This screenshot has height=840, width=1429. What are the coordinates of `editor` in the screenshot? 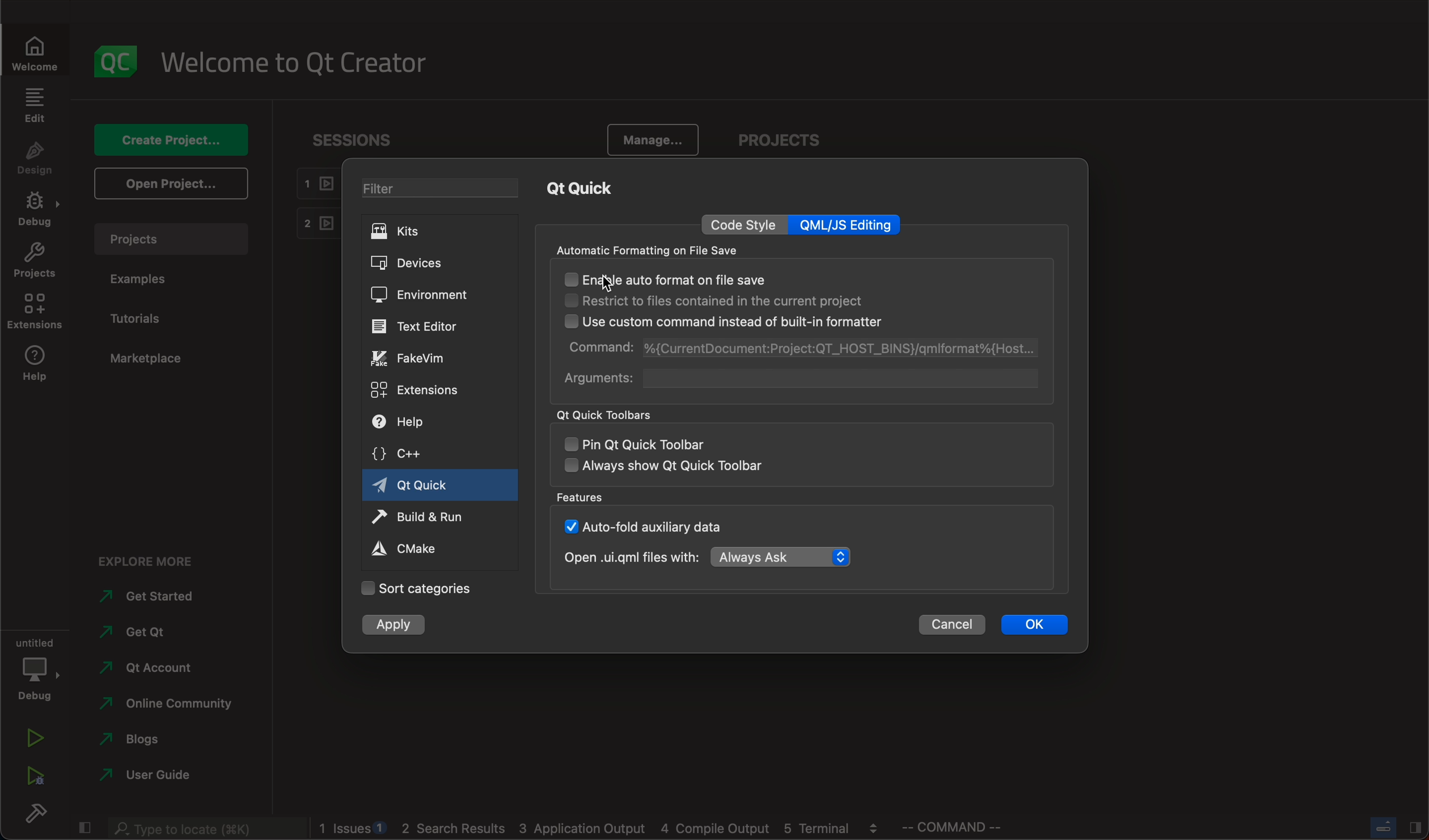 It's located at (420, 326).